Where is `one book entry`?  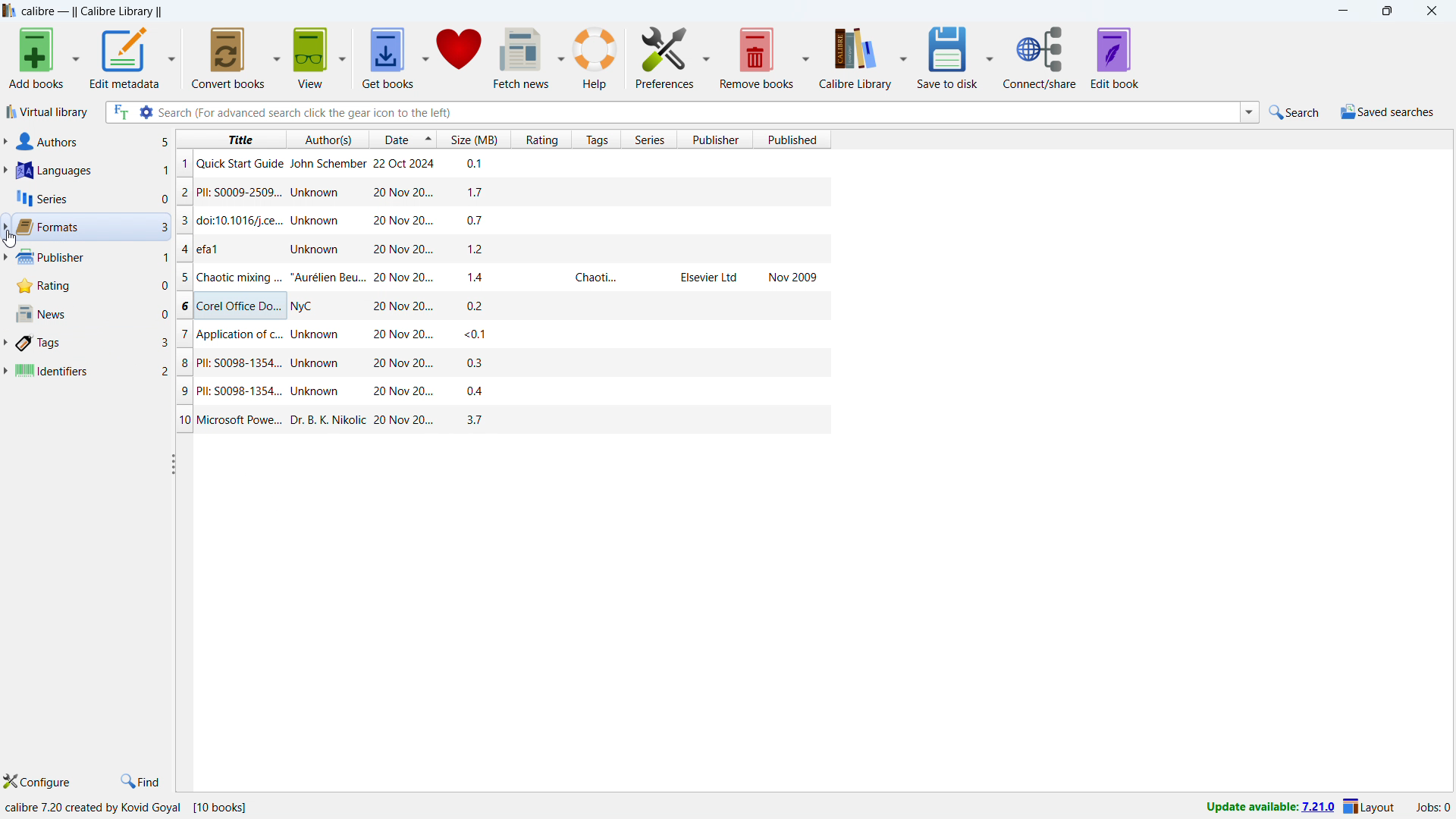 one book entry is located at coordinates (500, 165).